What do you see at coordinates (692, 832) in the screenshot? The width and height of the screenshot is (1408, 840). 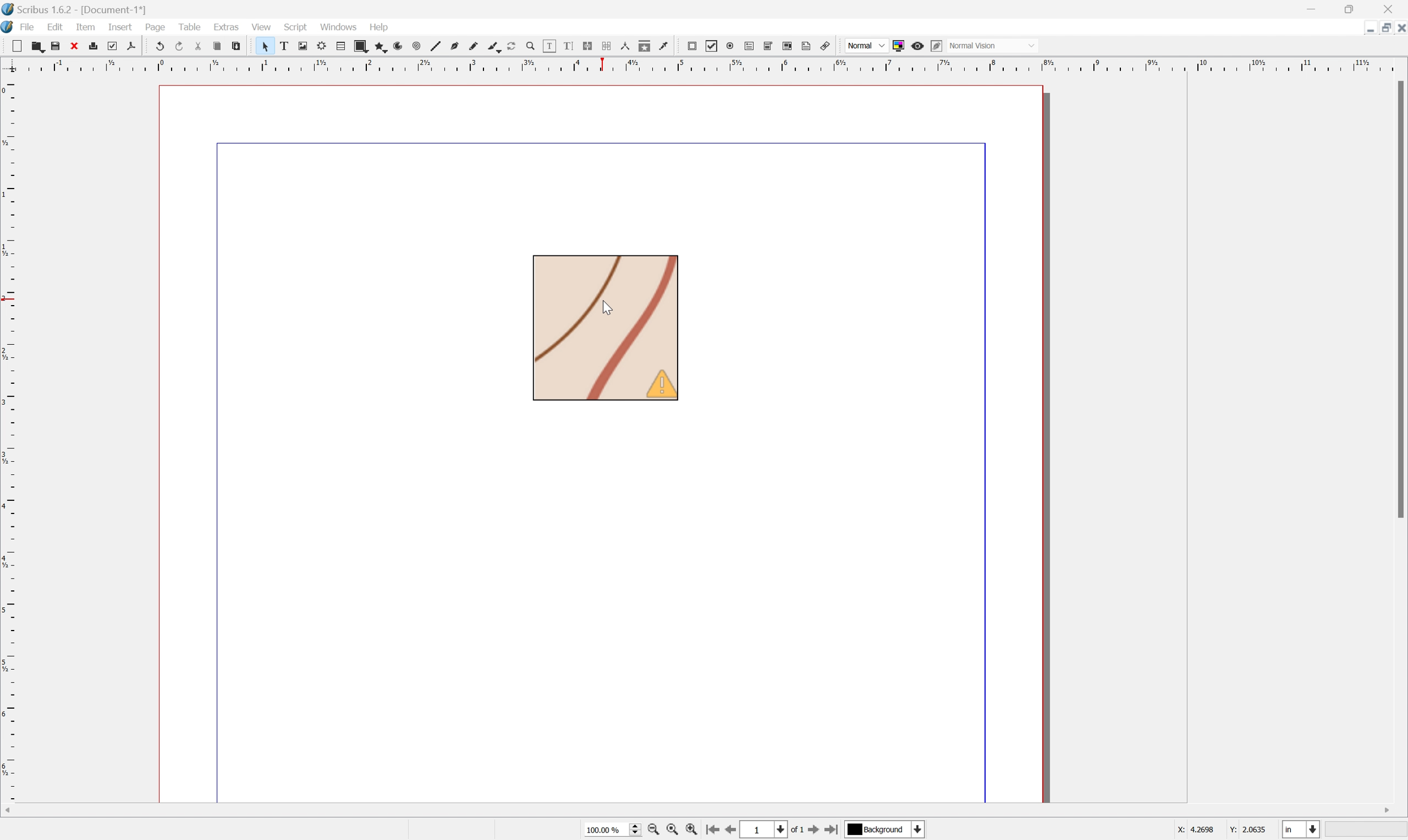 I see `Zoom in by the stepping value in tools preferences` at bounding box center [692, 832].